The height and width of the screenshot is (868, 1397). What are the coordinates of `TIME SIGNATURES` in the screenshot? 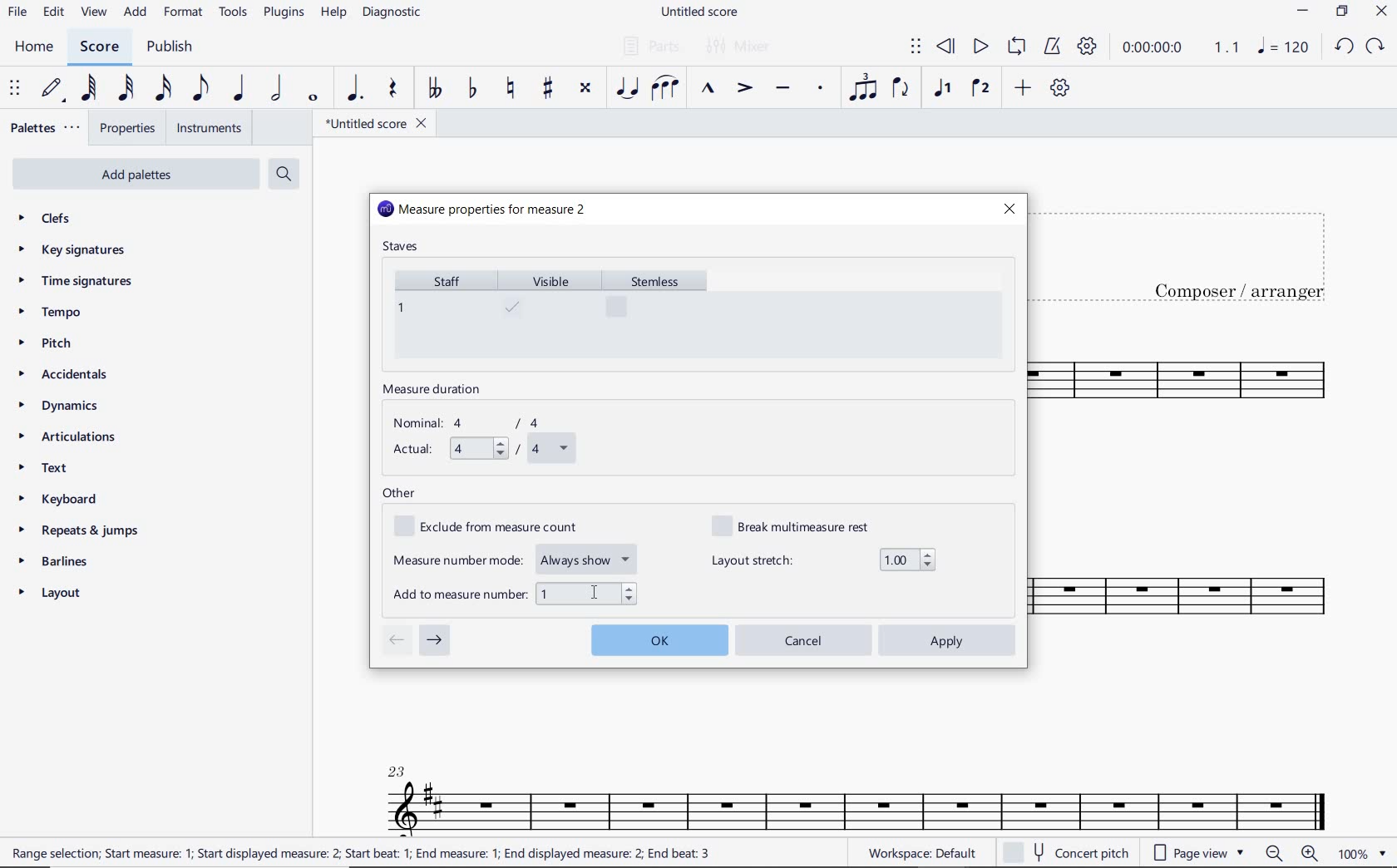 It's located at (77, 282).